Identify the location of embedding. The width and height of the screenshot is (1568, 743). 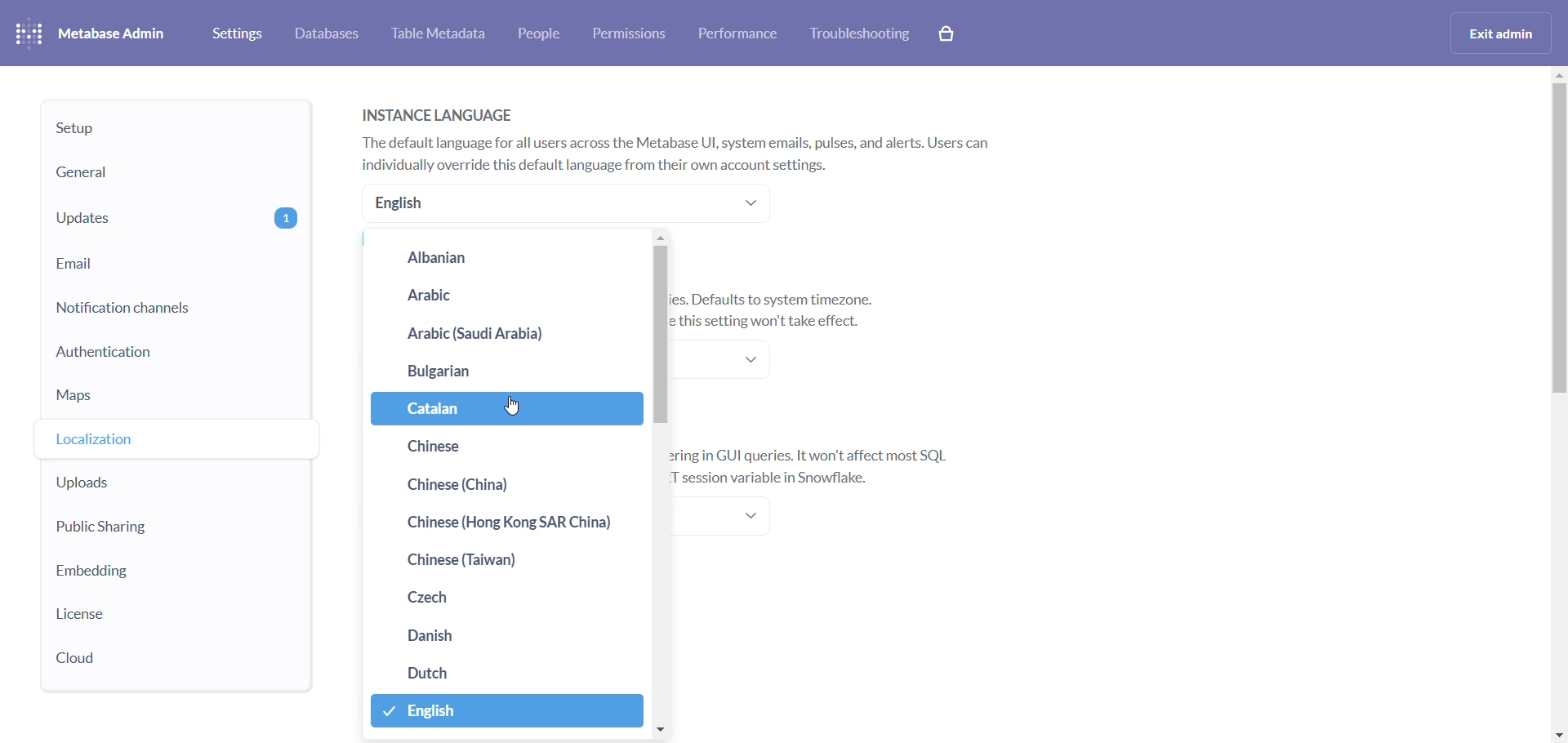
(166, 572).